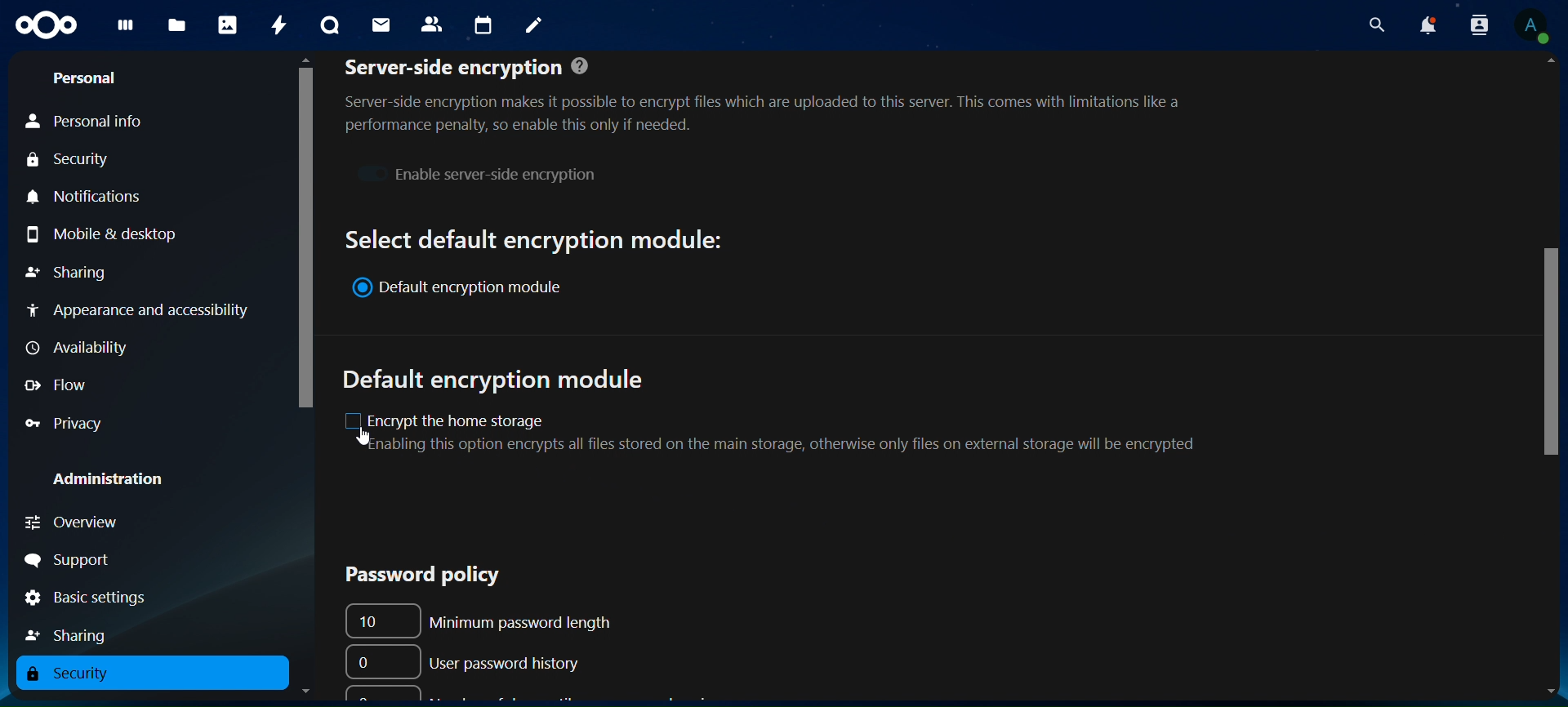  Describe the element at coordinates (73, 633) in the screenshot. I see `haring` at that location.